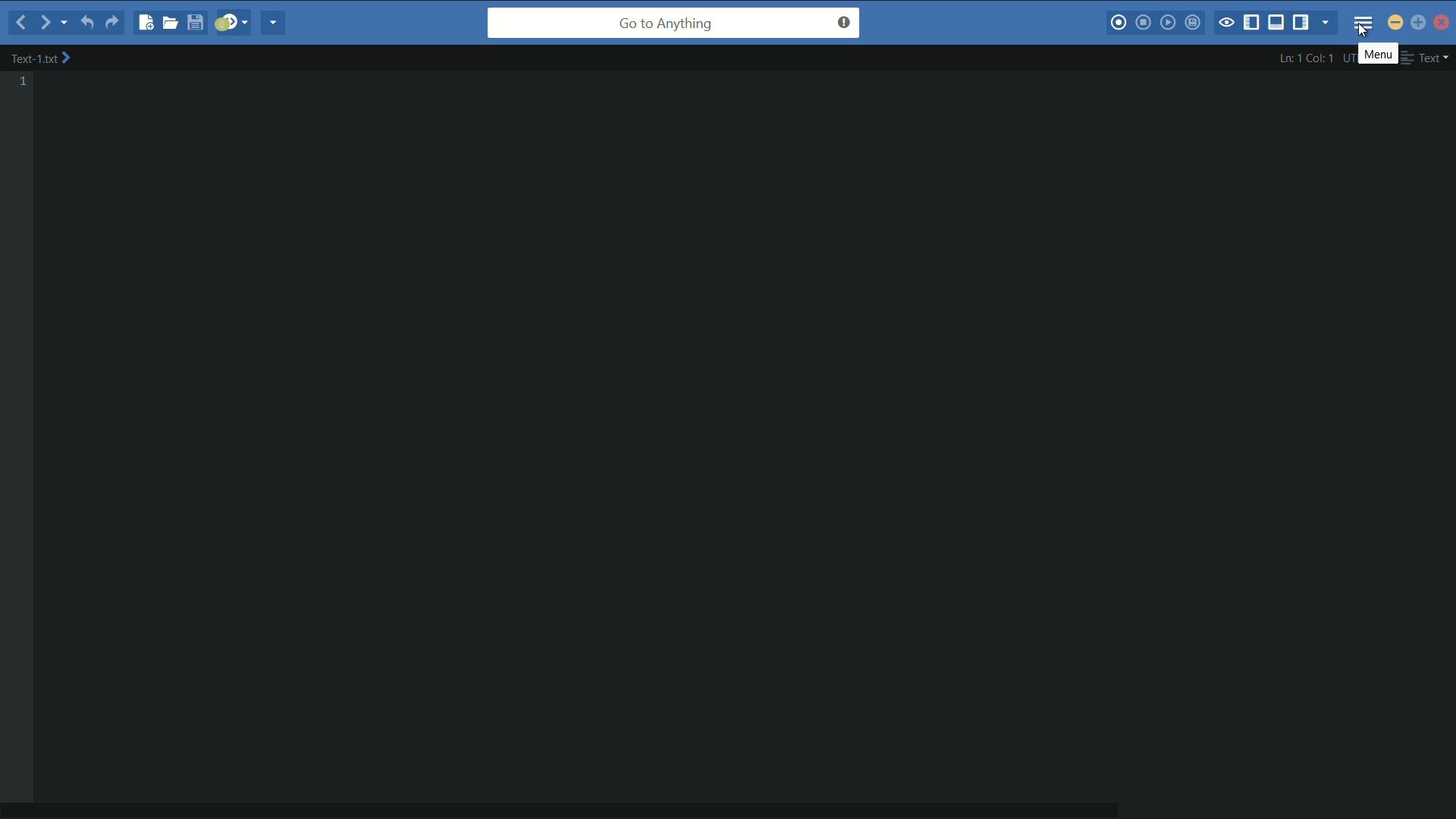  What do you see at coordinates (271, 22) in the screenshot?
I see `share current file` at bounding box center [271, 22].